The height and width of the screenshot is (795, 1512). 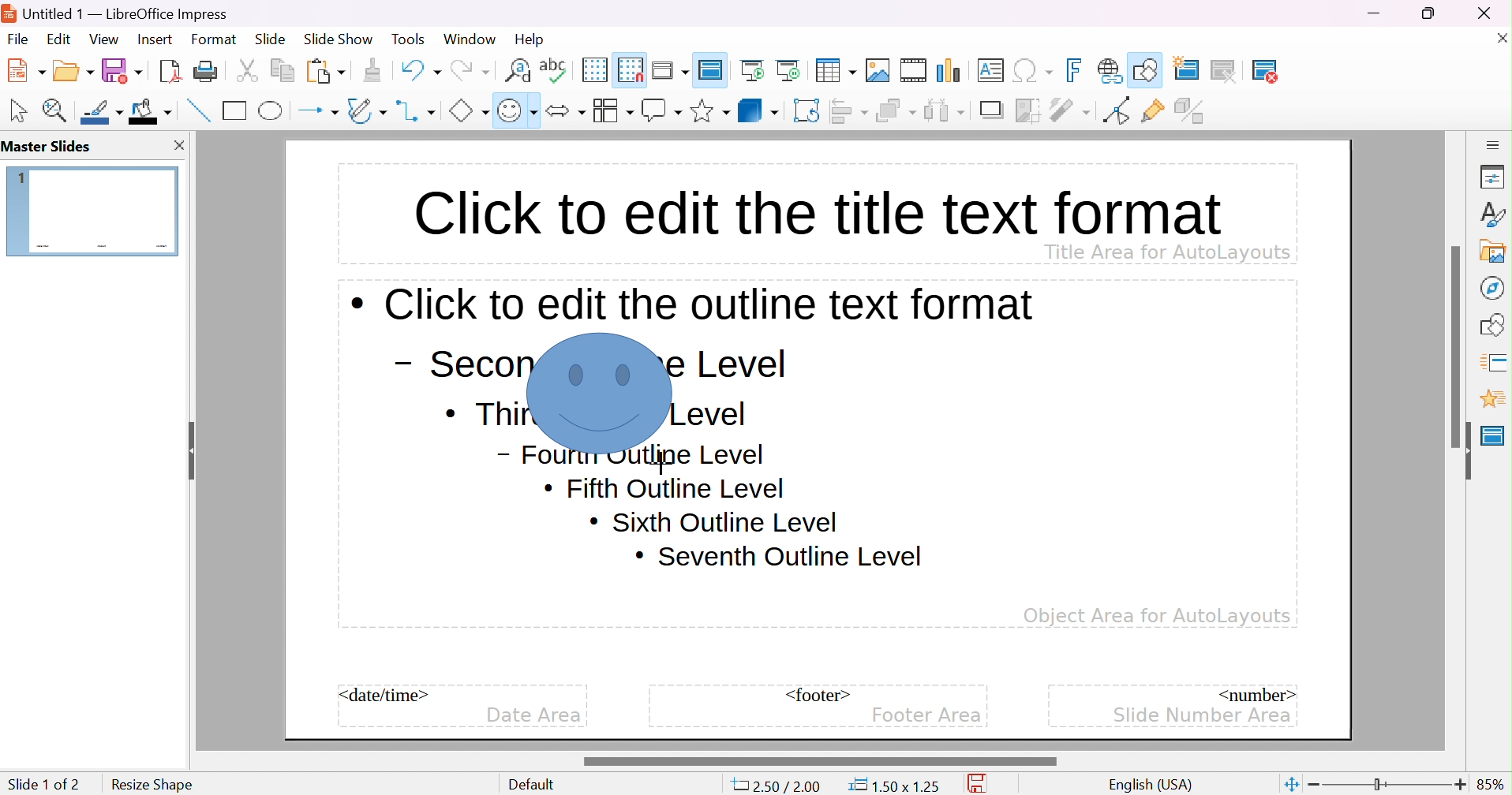 I want to click on filter, so click(x=1072, y=110).